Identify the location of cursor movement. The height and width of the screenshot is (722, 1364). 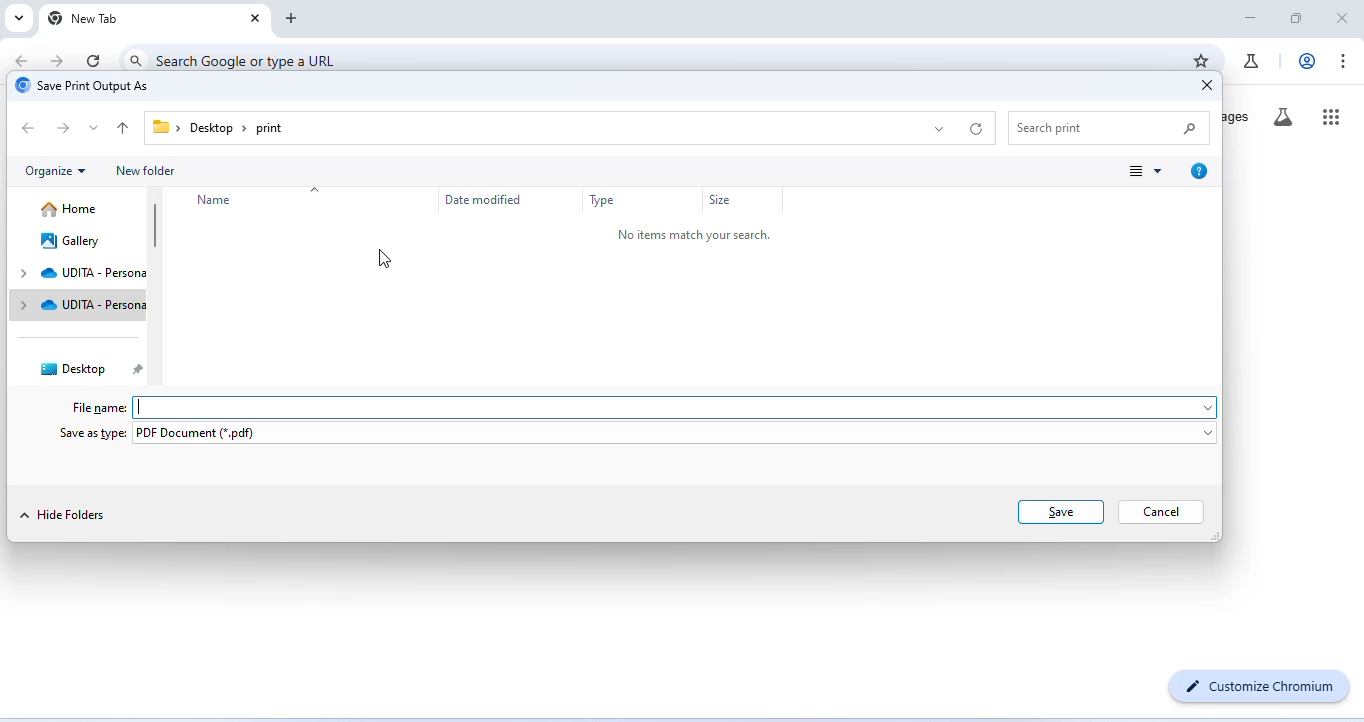
(383, 259).